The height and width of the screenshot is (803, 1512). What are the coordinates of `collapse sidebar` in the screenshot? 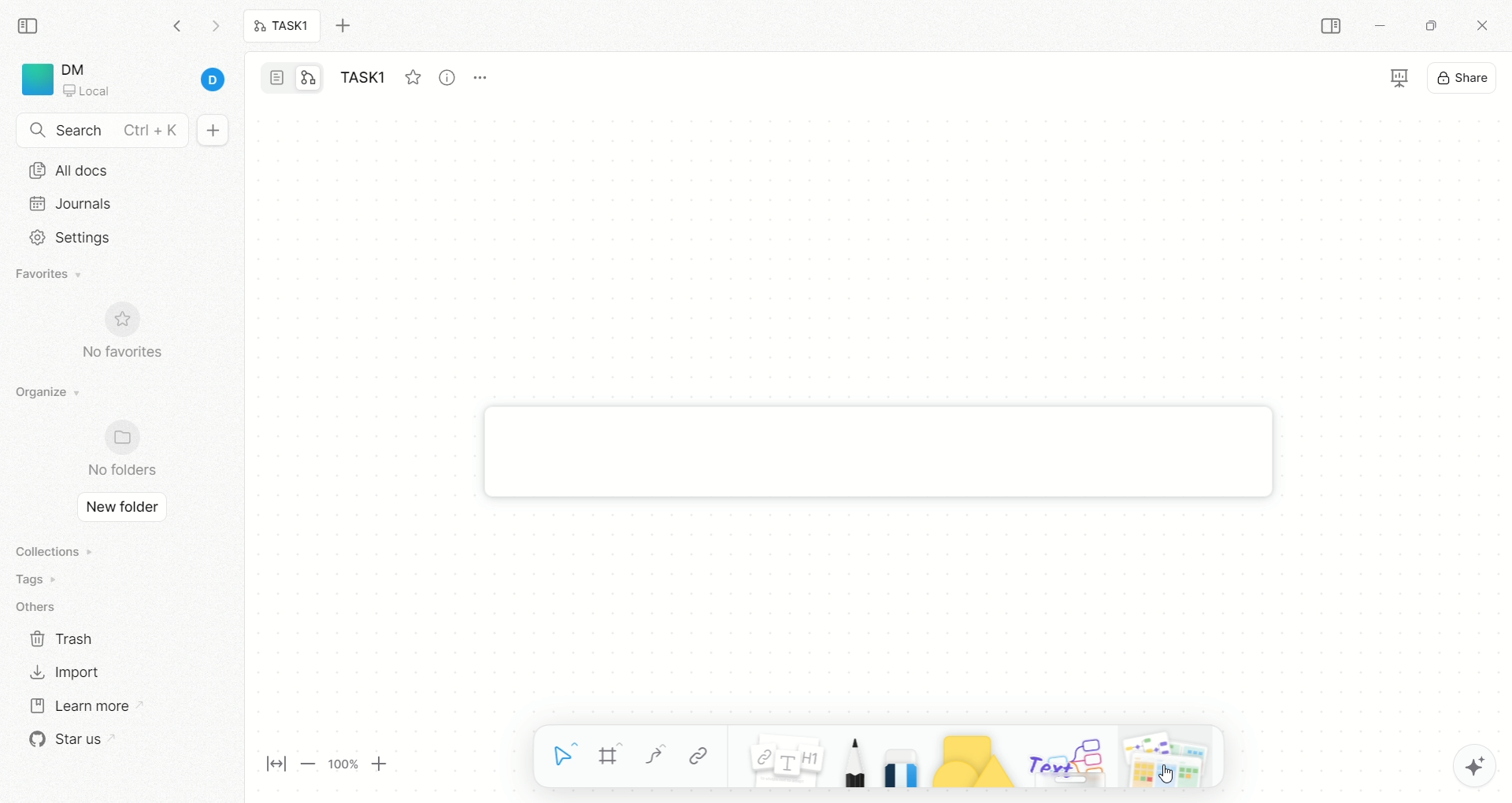 It's located at (32, 24).